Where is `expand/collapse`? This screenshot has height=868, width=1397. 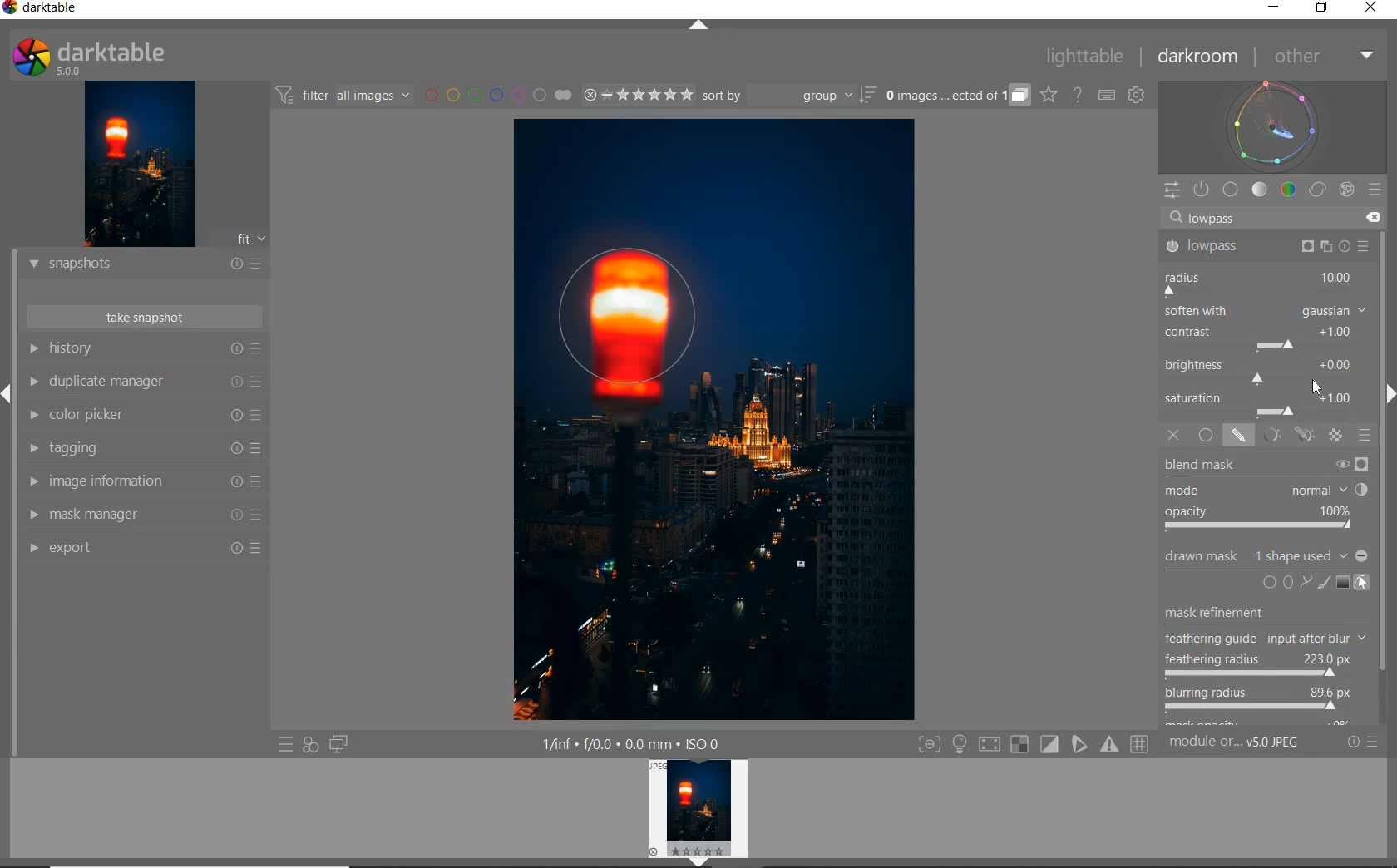
expand/collapse is located at coordinates (1387, 398).